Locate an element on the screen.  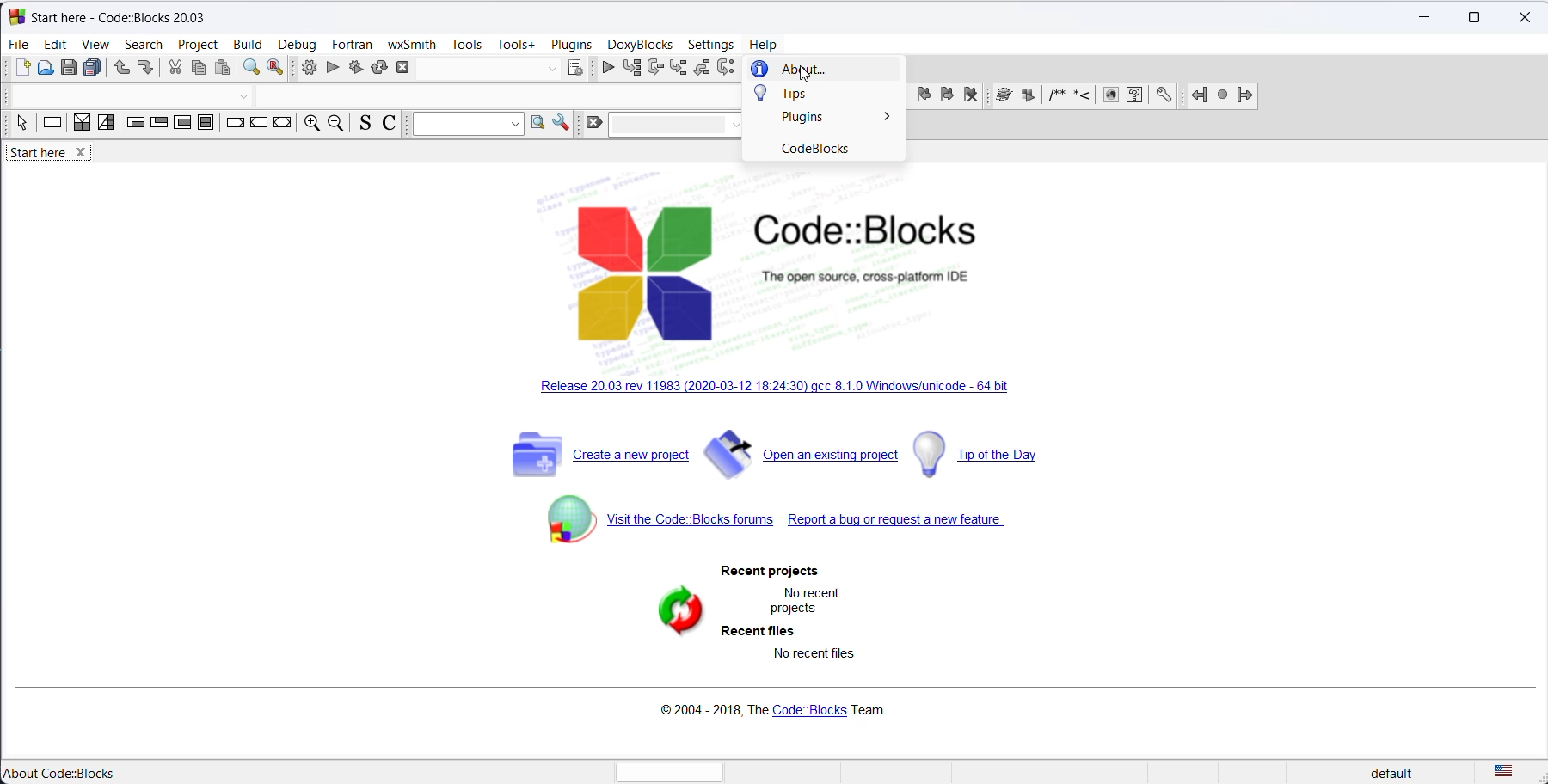
open file is located at coordinates (44, 72).